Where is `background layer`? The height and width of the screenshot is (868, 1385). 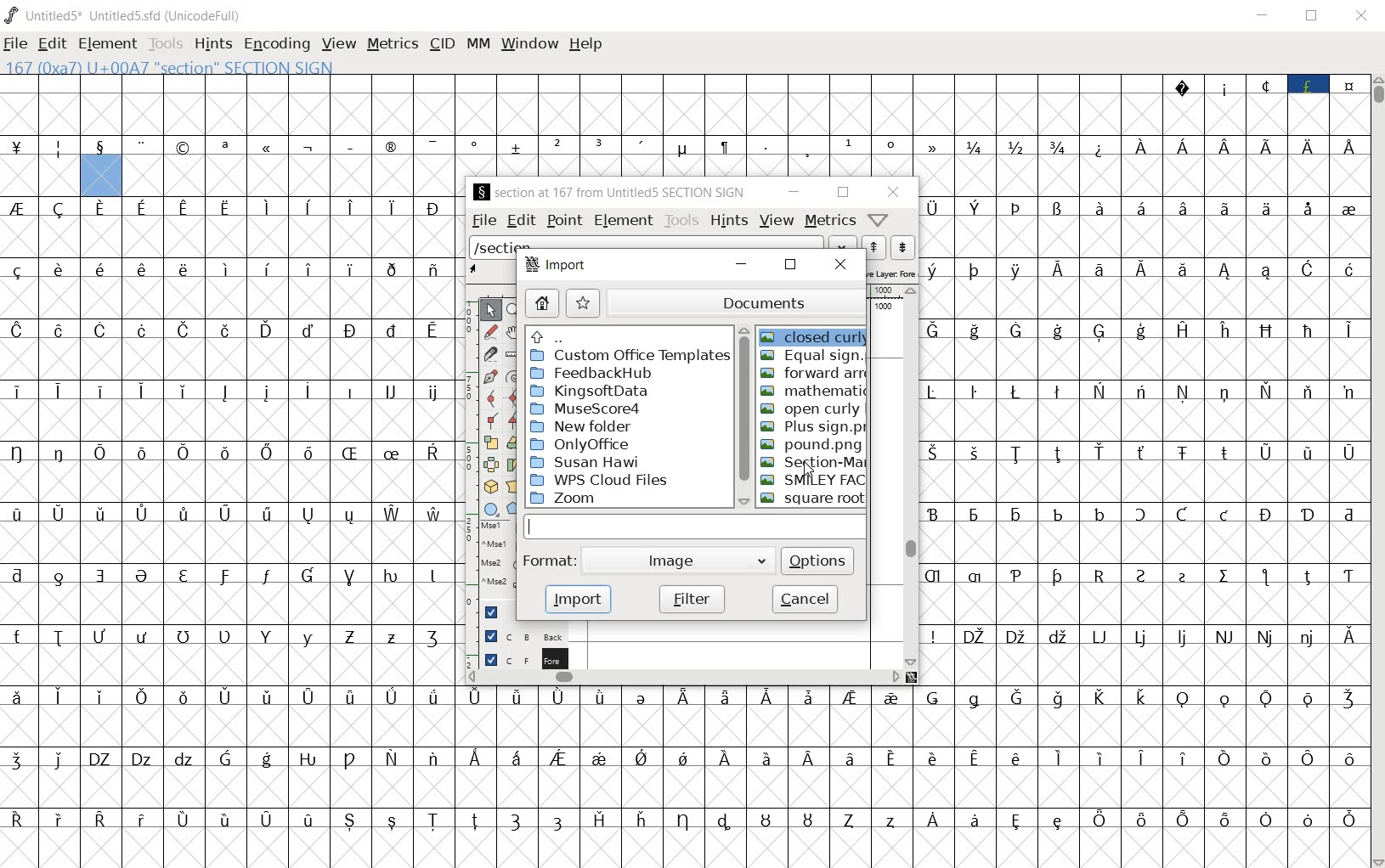
background layer is located at coordinates (526, 635).